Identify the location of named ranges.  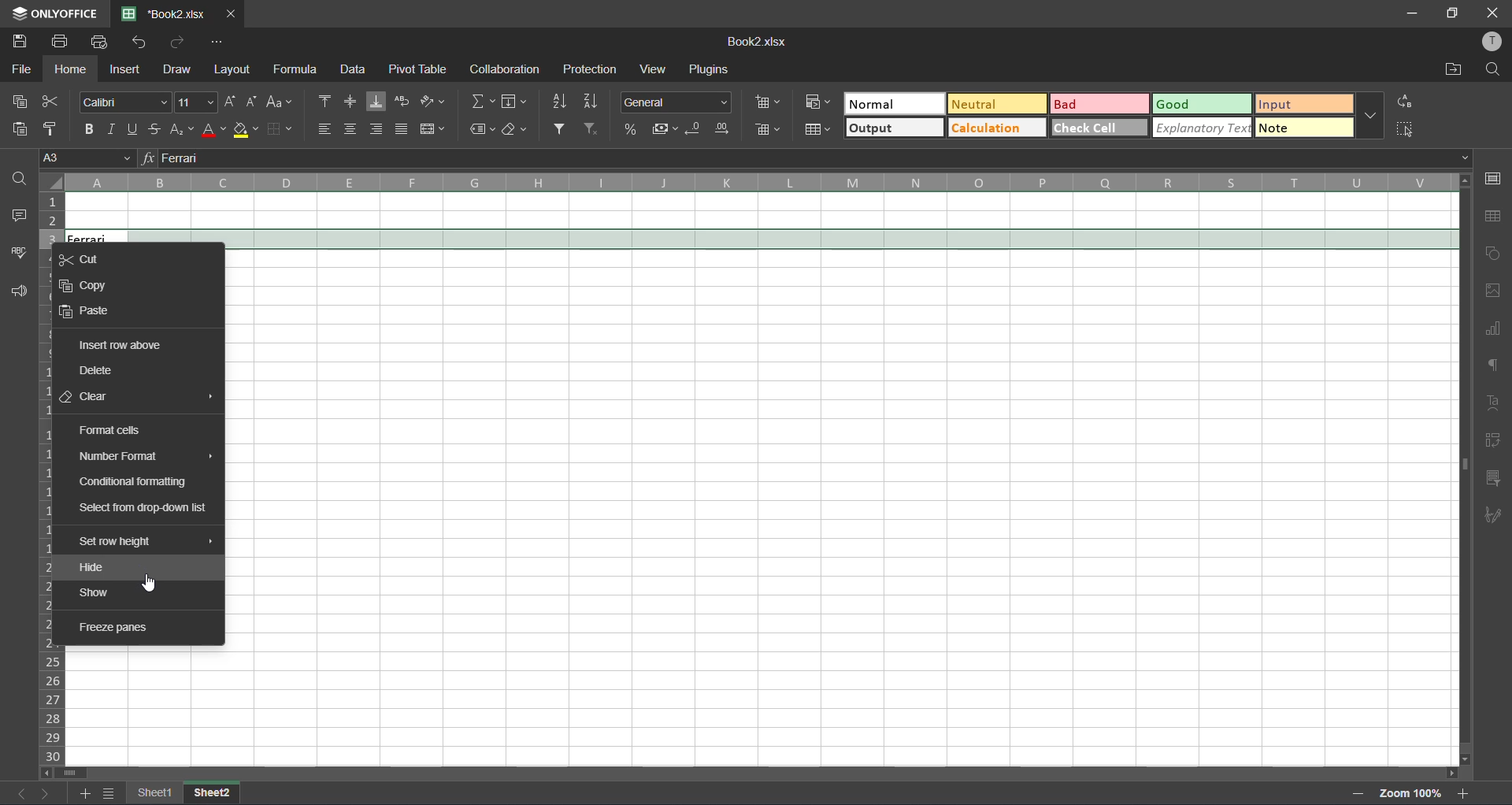
(480, 131).